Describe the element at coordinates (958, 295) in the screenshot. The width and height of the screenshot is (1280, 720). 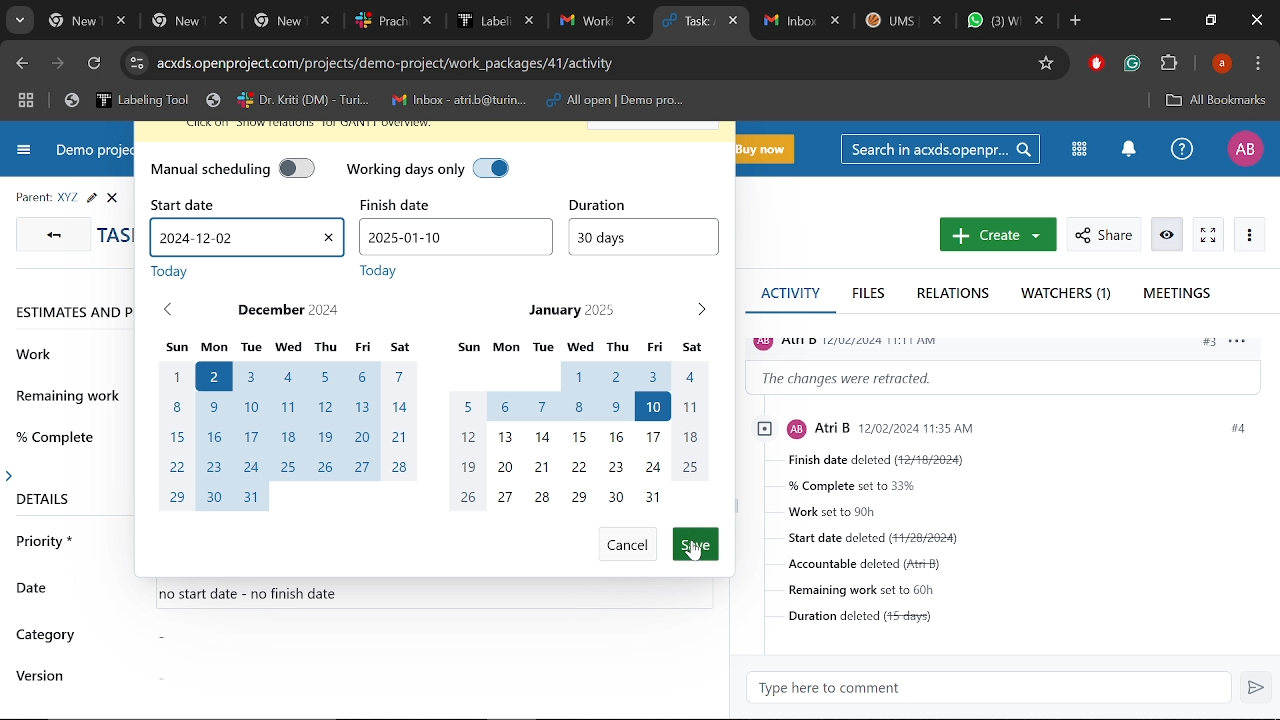
I see `Relations` at that location.